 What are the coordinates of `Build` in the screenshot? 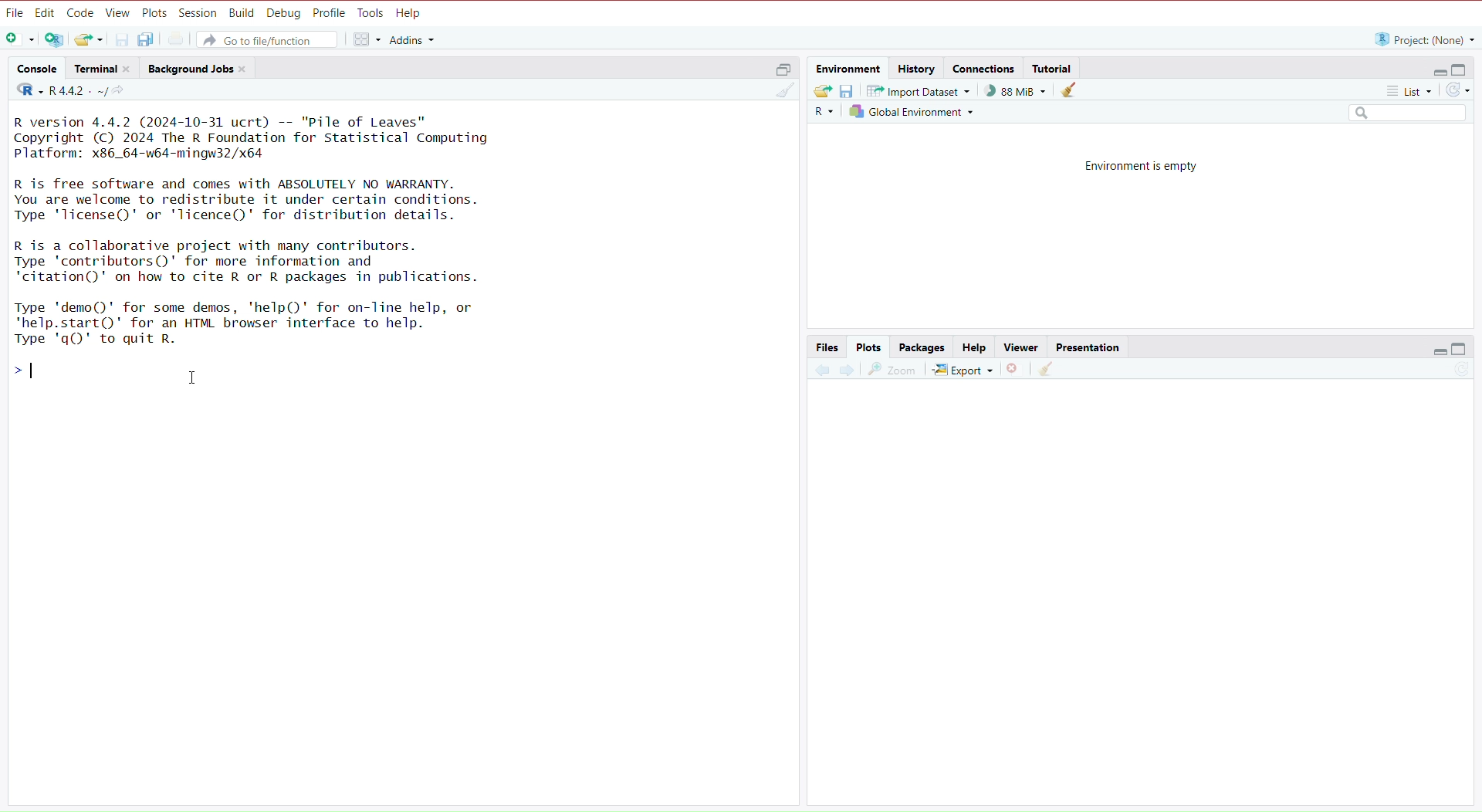 It's located at (242, 12).